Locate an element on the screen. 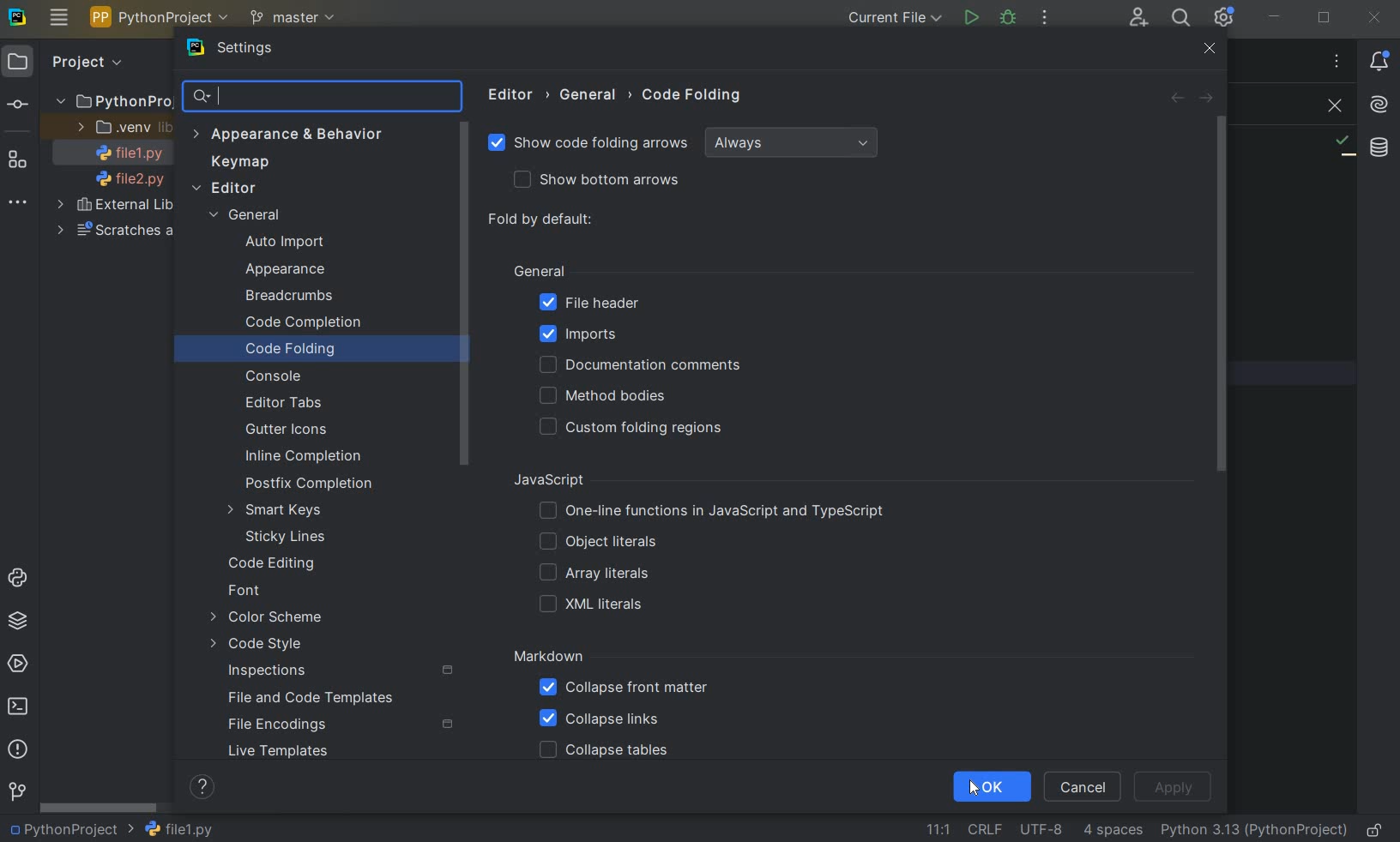 This screenshot has width=1400, height=842. MINIMIZE is located at coordinates (1275, 18).